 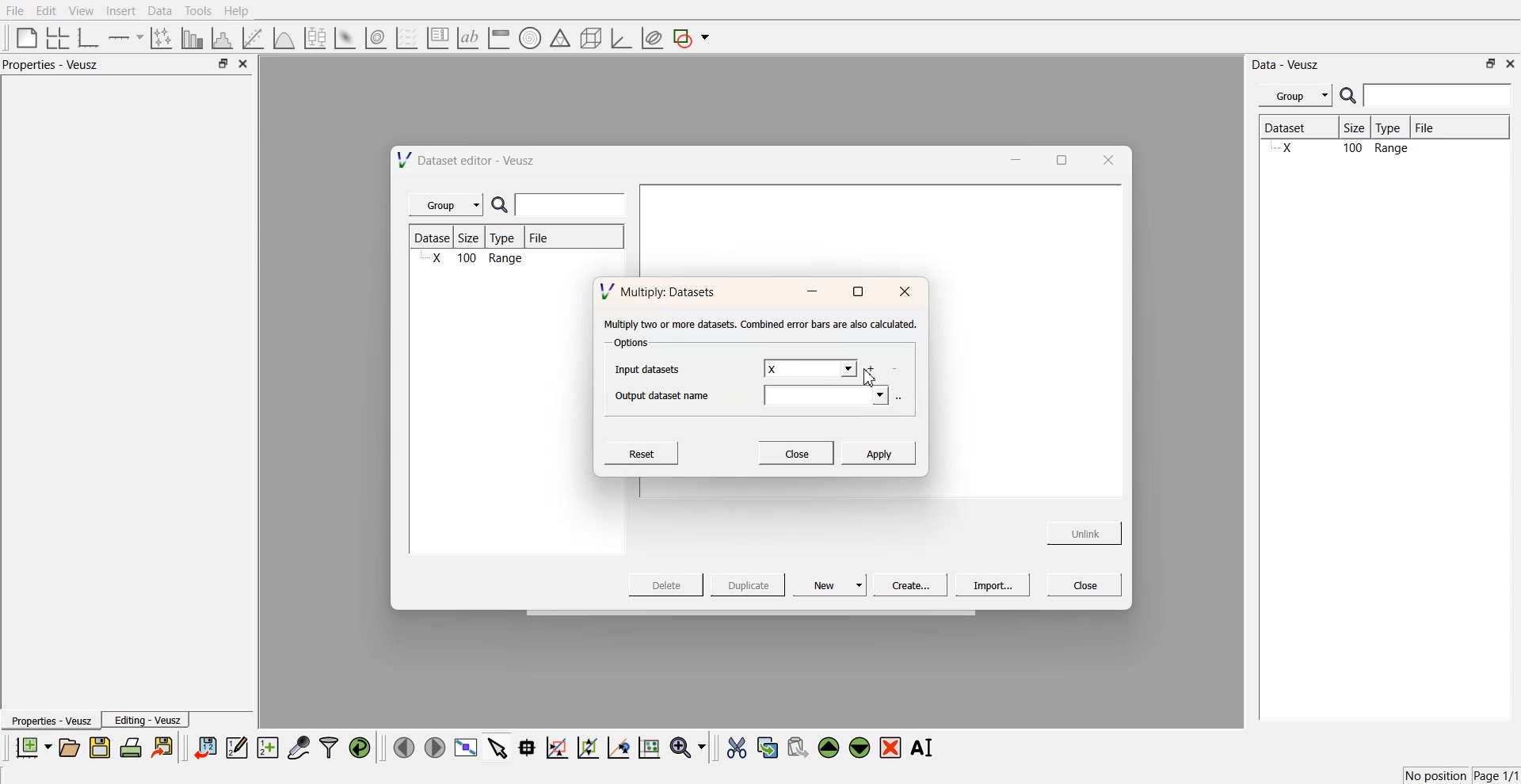 What do you see at coordinates (497, 747) in the screenshot?
I see `select items` at bounding box center [497, 747].